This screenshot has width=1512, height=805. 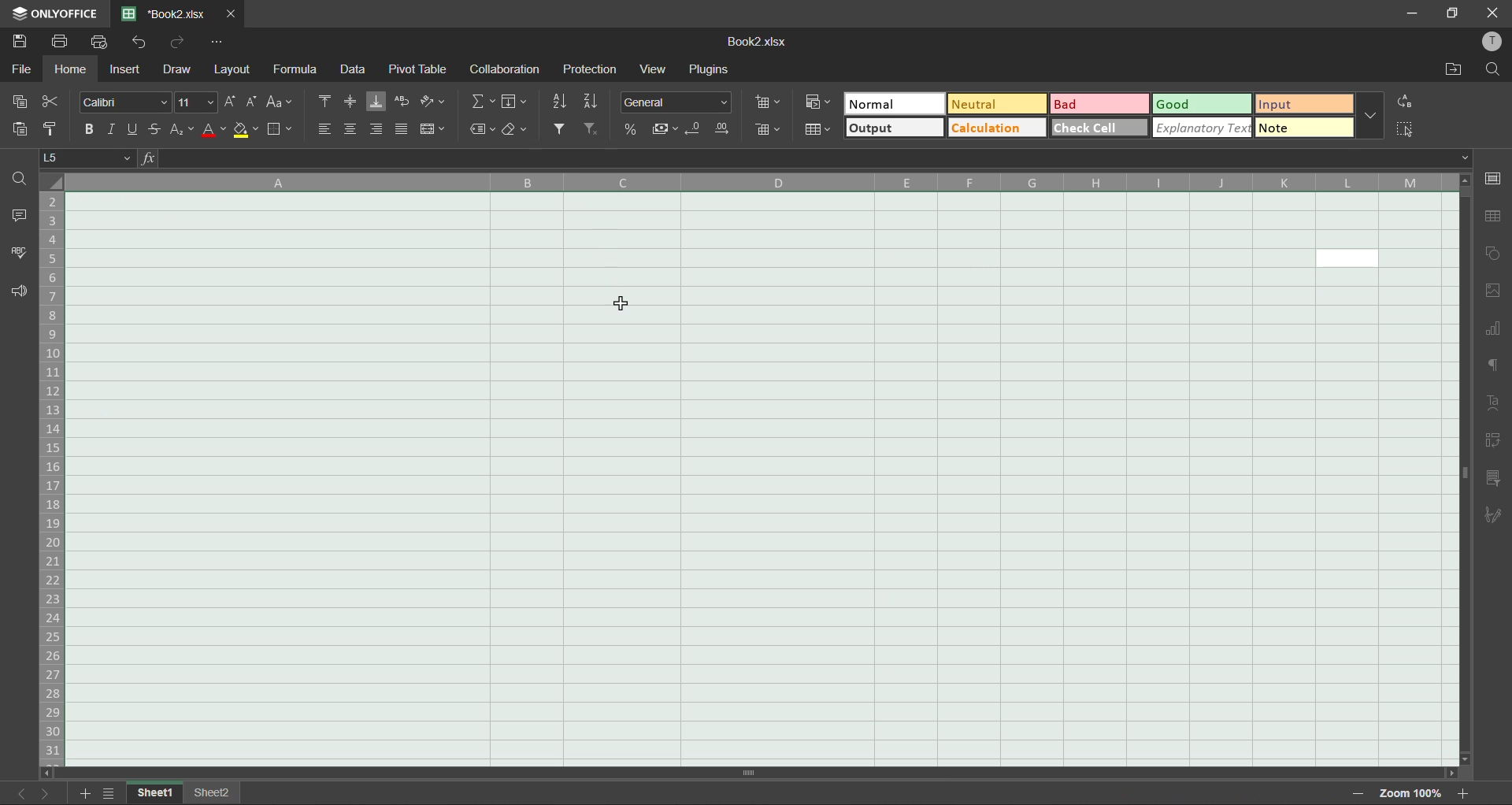 I want to click on output, so click(x=896, y=128).